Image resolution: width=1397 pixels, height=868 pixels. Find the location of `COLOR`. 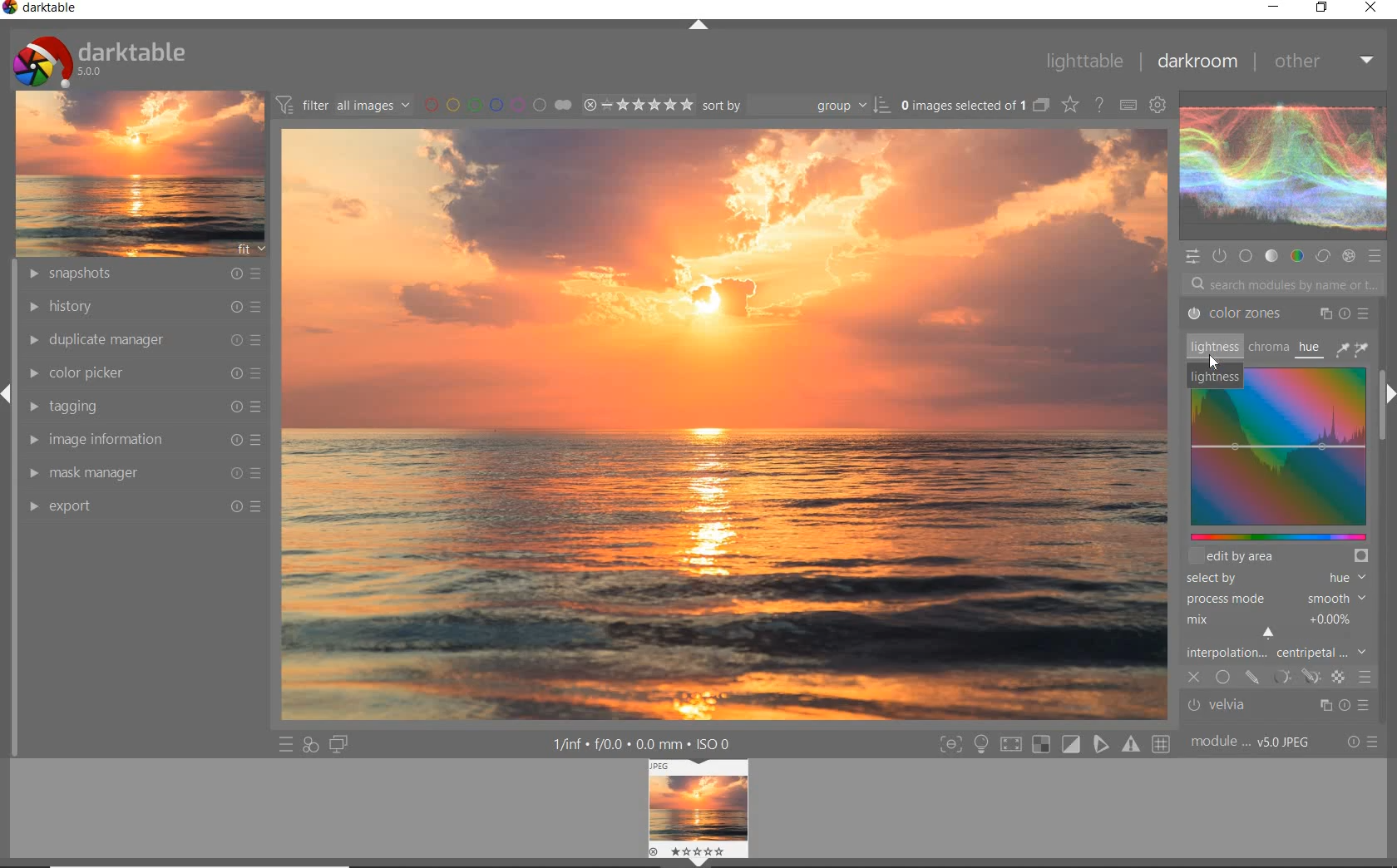

COLOR is located at coordinates (1295, 256).